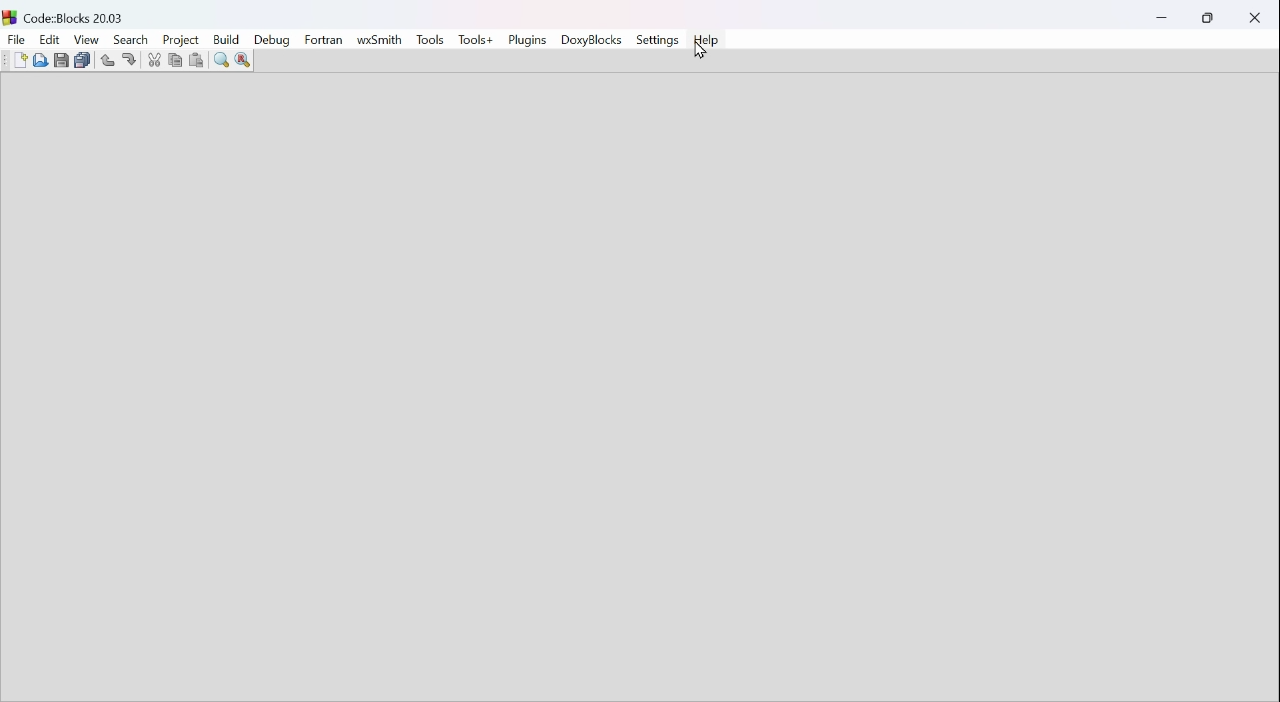  Describe the element at coordinates (197, 60) in the screenshot. I see `Paste` at that location.